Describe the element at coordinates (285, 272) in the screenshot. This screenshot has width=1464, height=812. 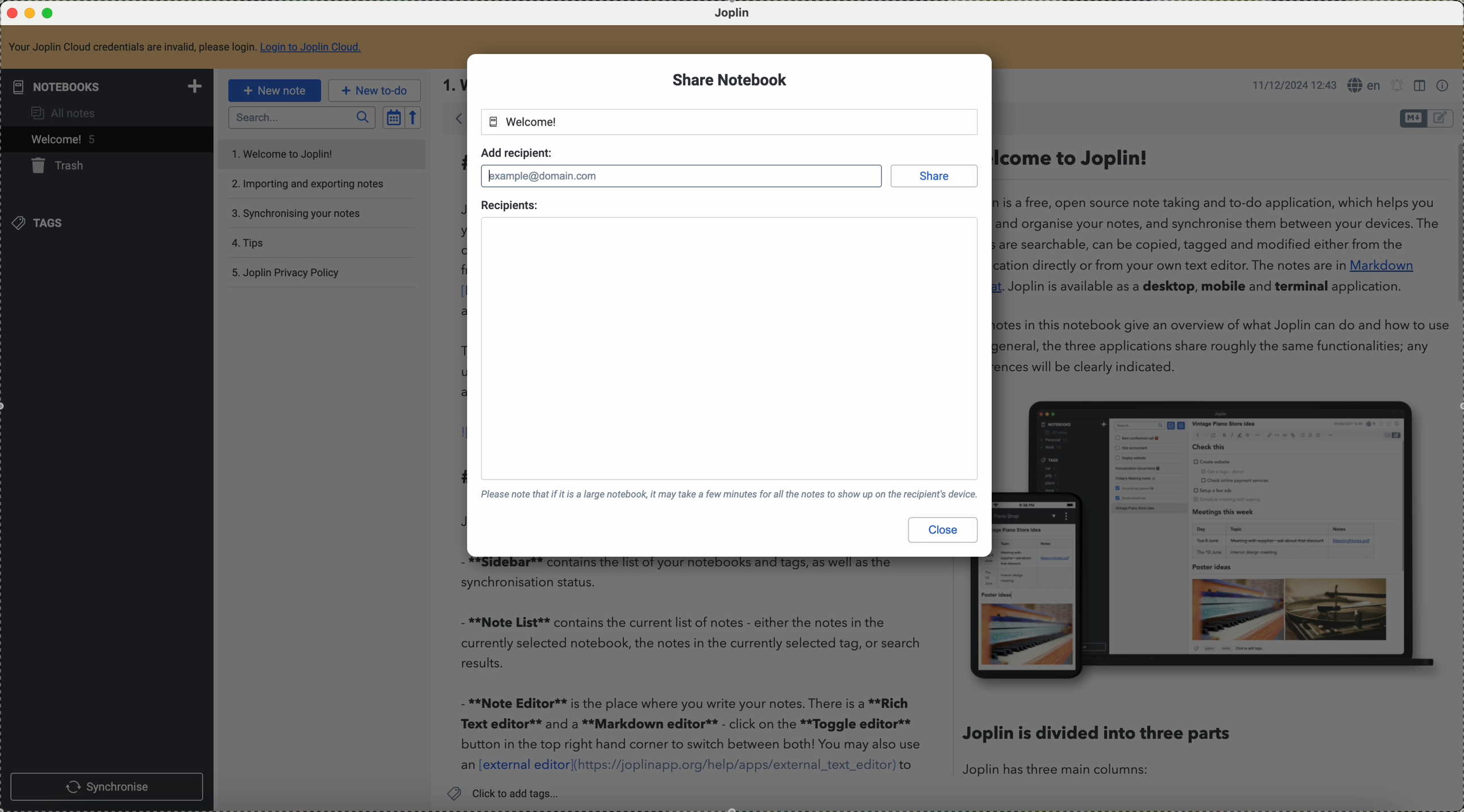
I see `Joplin privacy policy` at that location.